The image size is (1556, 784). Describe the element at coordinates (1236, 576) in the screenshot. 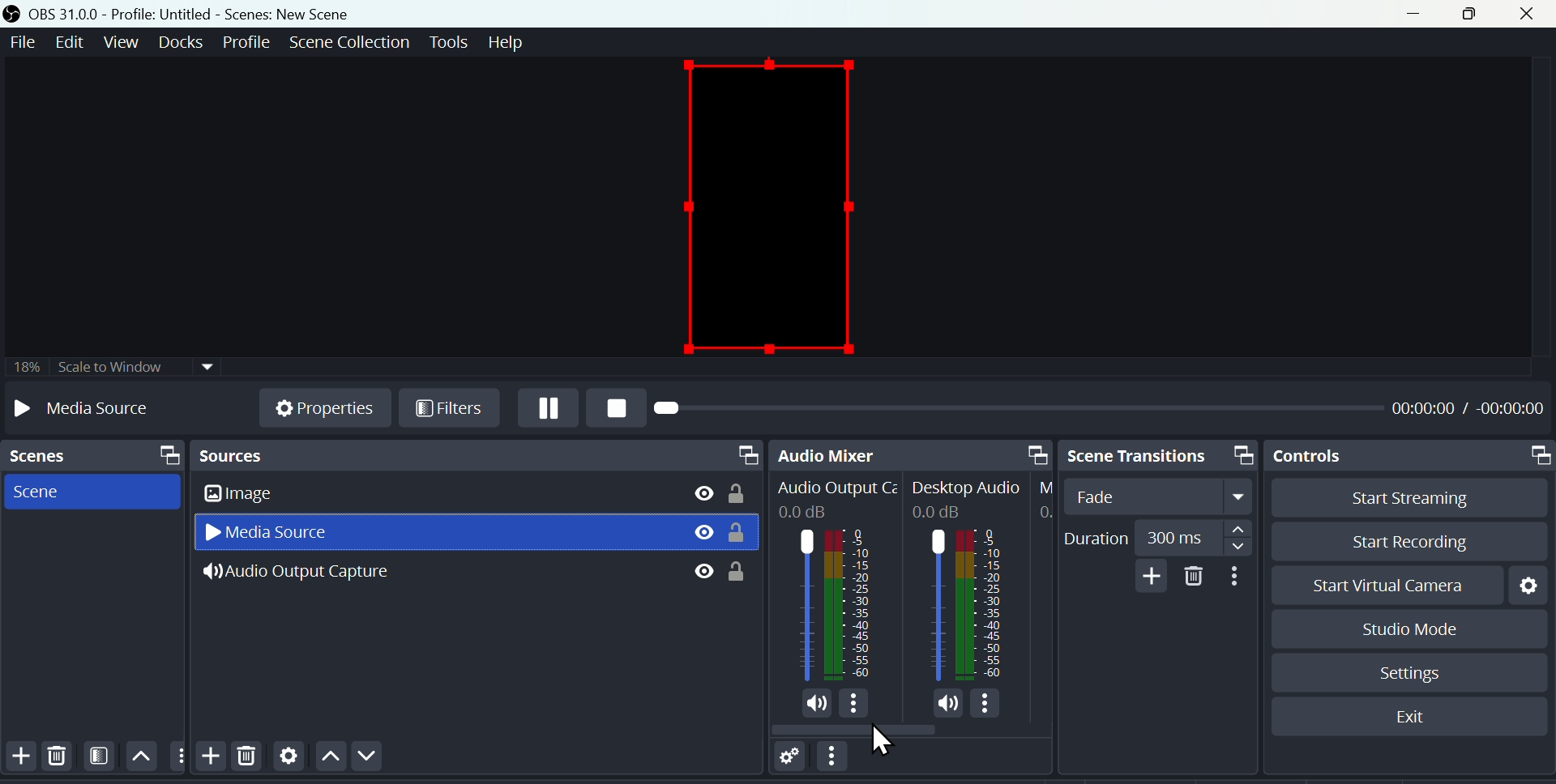

I see `More options` at that location.